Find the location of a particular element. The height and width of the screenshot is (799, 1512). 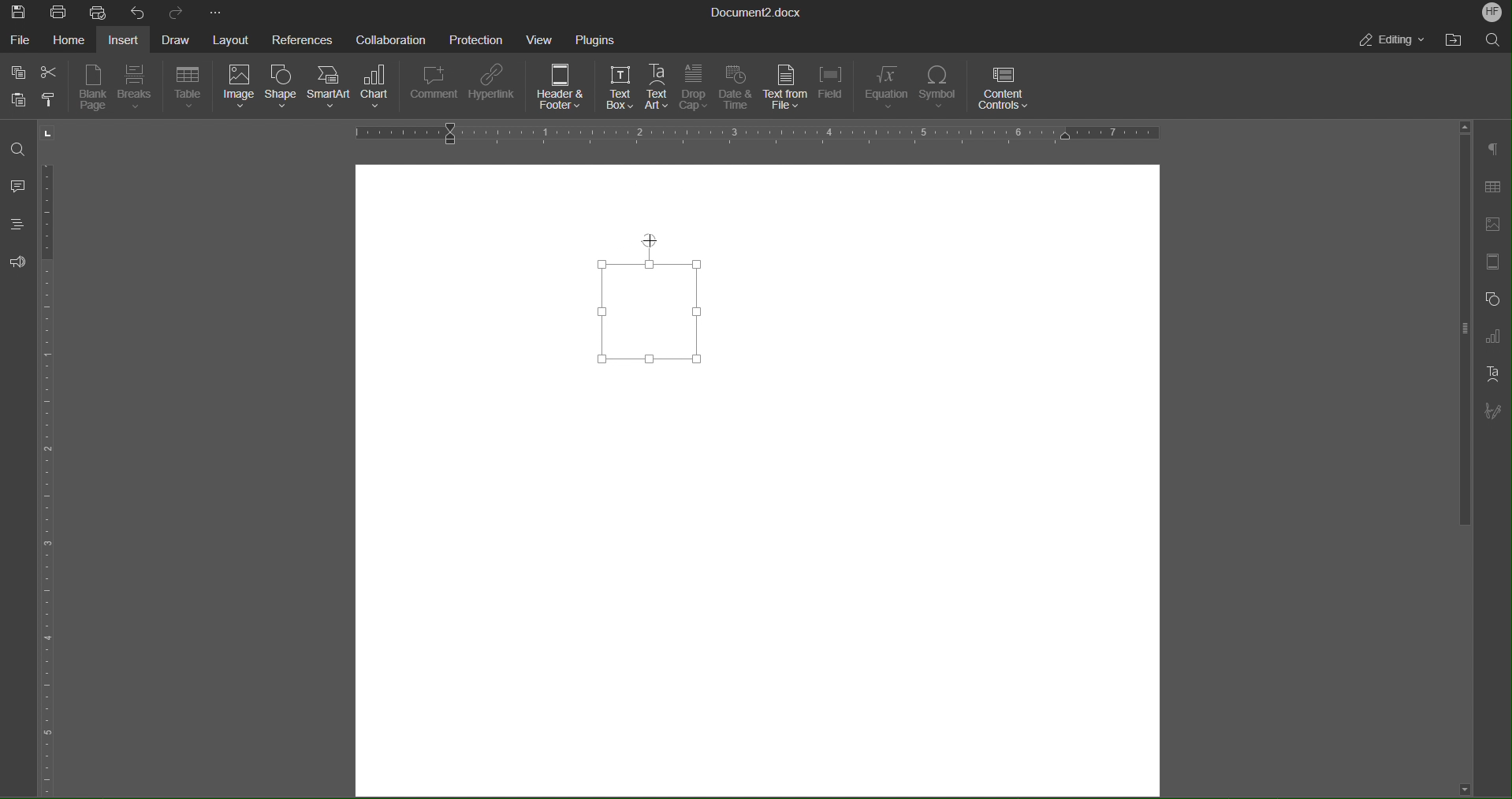

Hyperlink is located at coordinates (494, 87).